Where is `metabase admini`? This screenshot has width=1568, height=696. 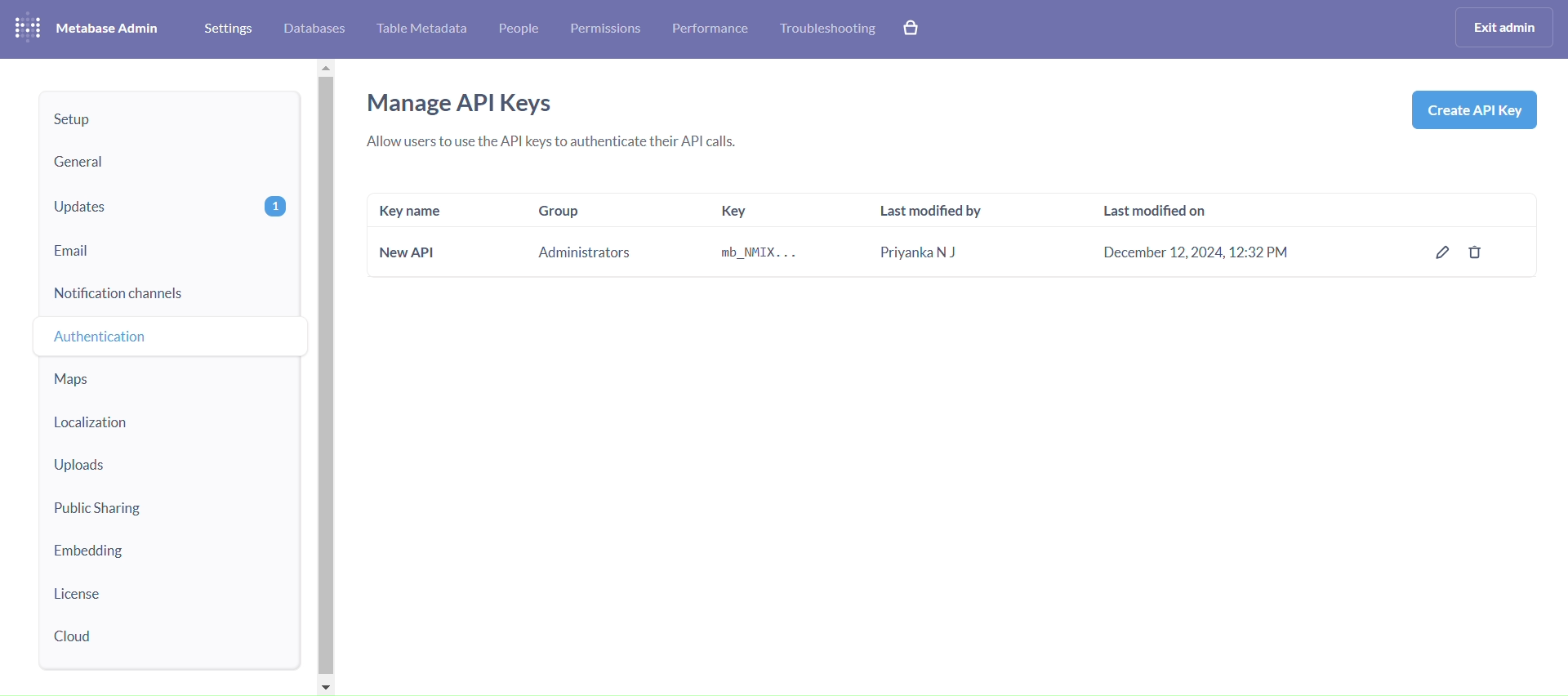
metabase admini is located at coordinates (109, 29).